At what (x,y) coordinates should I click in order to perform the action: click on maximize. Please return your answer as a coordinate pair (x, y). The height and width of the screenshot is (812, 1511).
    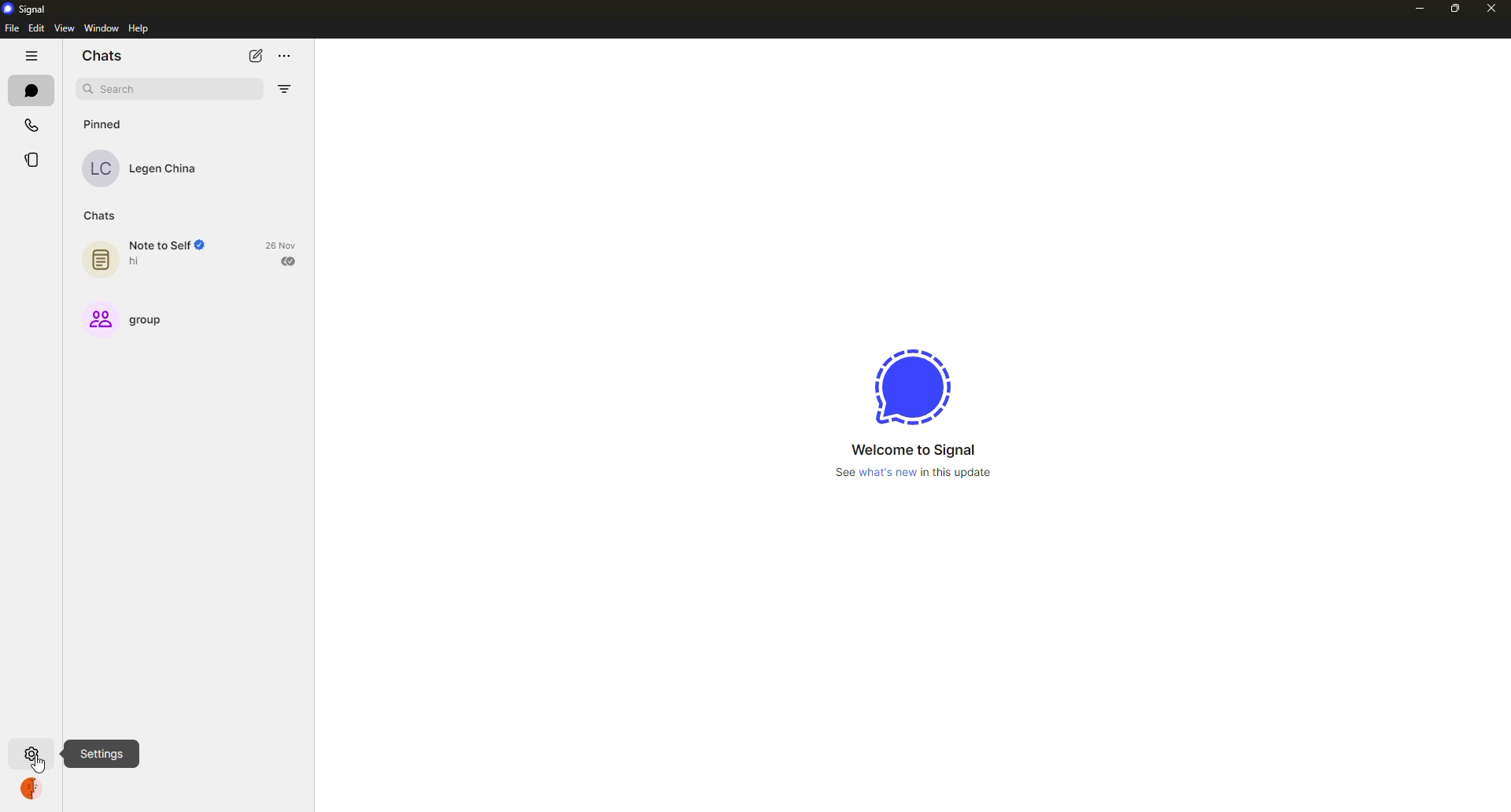
    Looking at the image, I should click on (1453, 9).